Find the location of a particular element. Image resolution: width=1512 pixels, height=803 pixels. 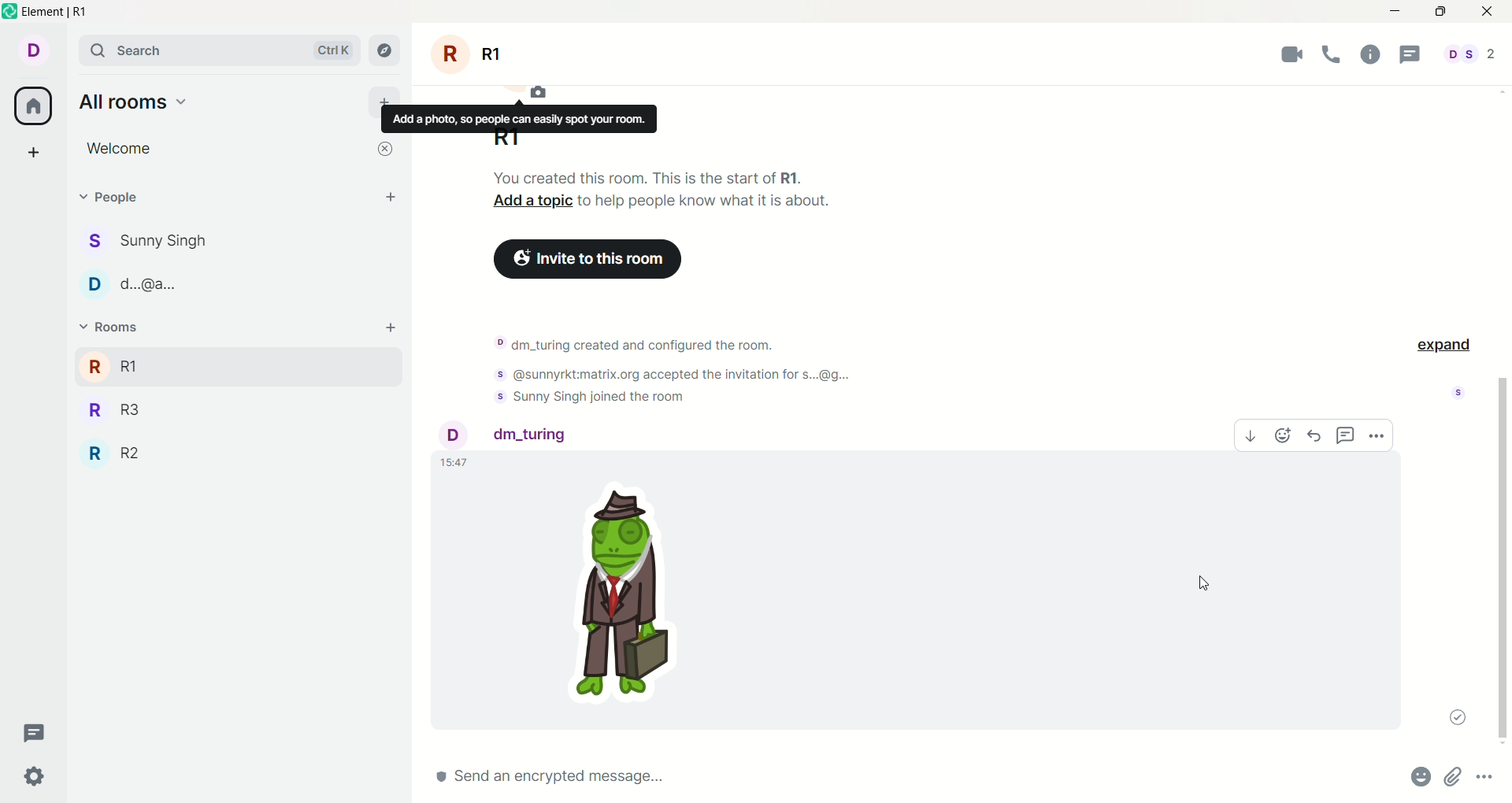

create a space is located at coordinates (34, 152).